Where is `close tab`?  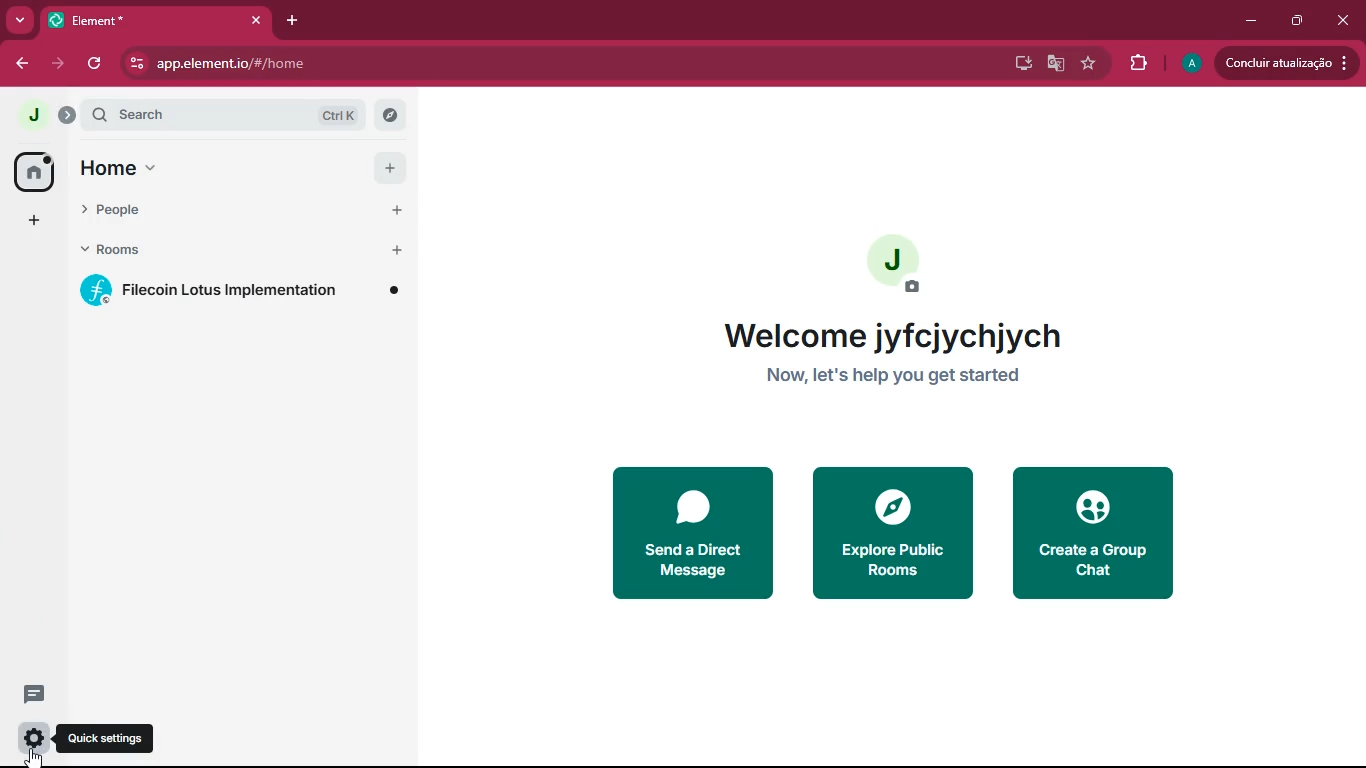 close tab is located at coordinates (257, 21).